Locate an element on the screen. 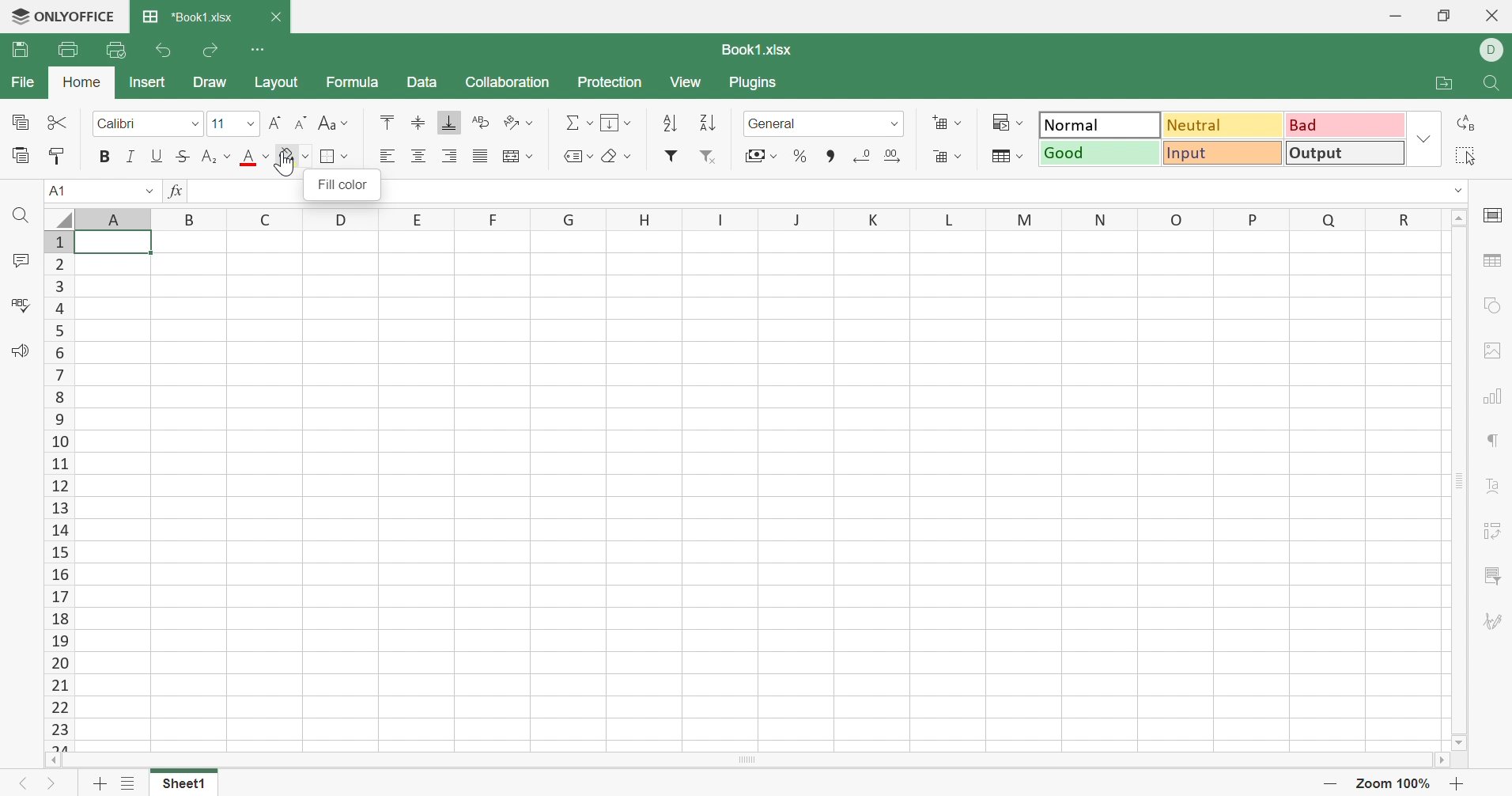  Scroll Bottom is located at coordinates (1458, 744).